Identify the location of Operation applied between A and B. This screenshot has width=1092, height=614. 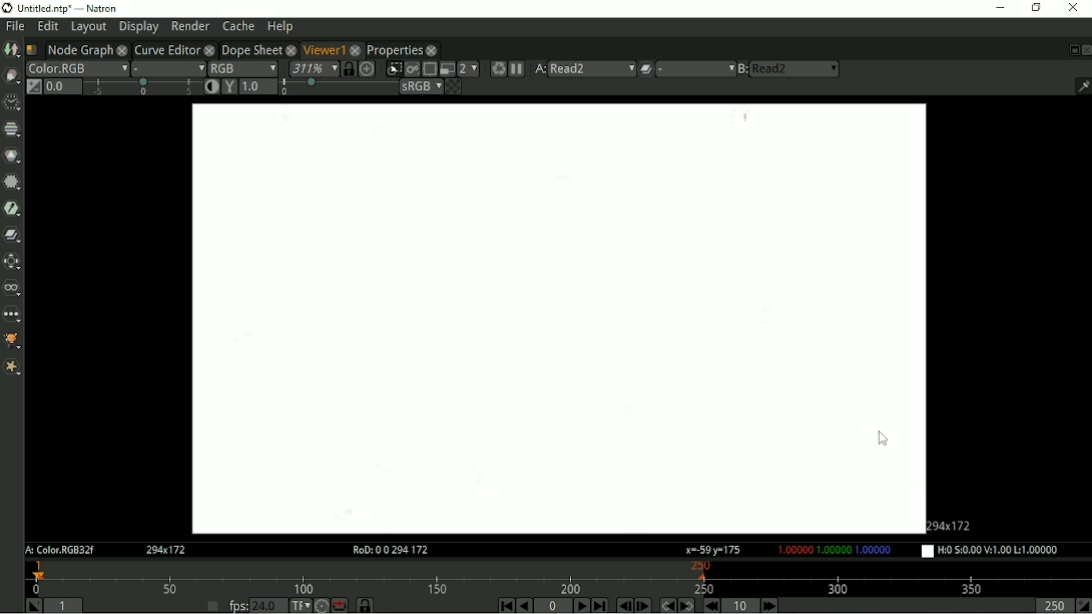
(646, 68).